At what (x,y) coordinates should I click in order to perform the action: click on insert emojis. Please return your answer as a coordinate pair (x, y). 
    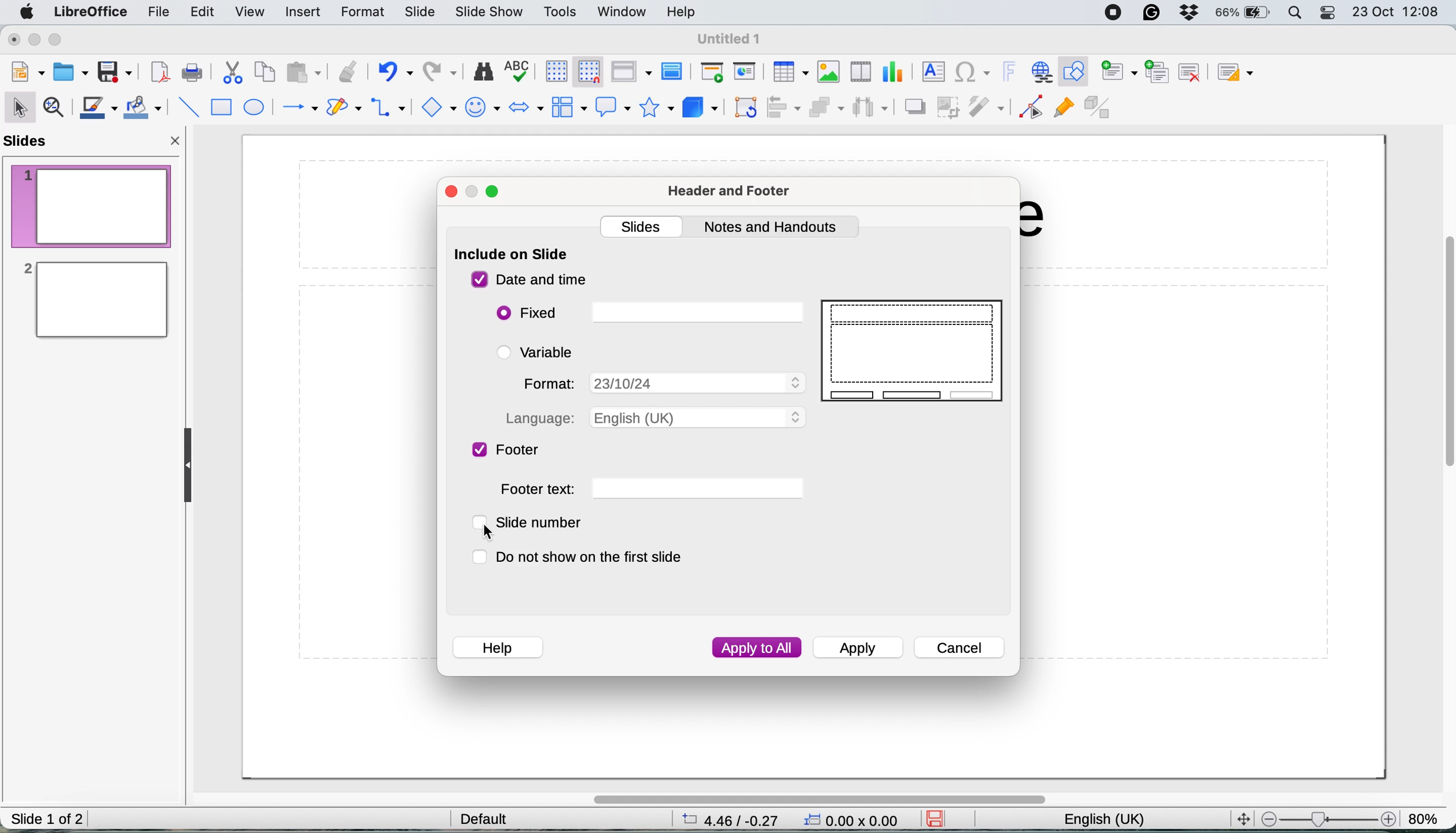
    Looking at the image, I should click on (483, 108).